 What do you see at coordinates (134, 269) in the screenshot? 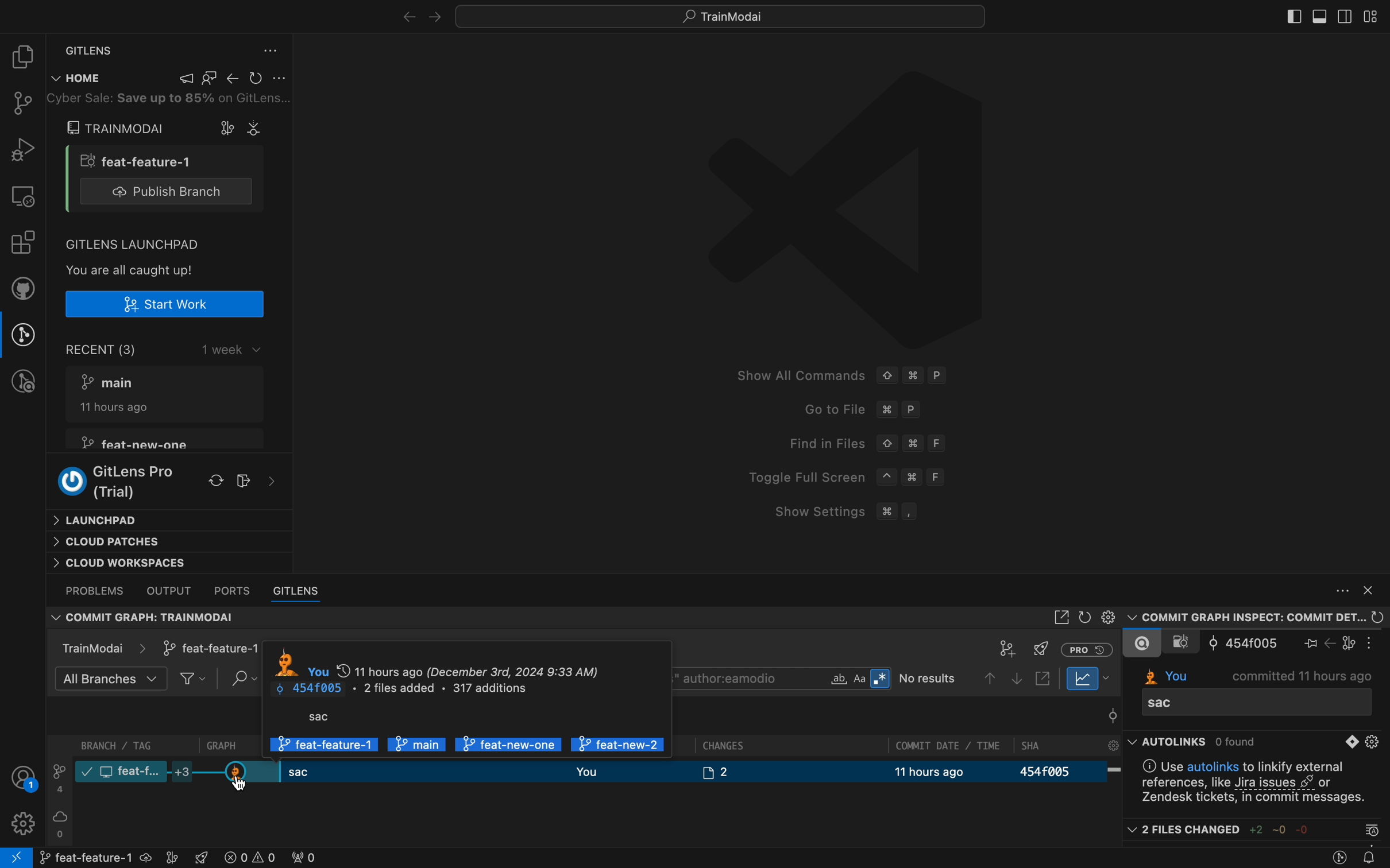
I see `You are all caught up!` at bounding box center [134, 269].